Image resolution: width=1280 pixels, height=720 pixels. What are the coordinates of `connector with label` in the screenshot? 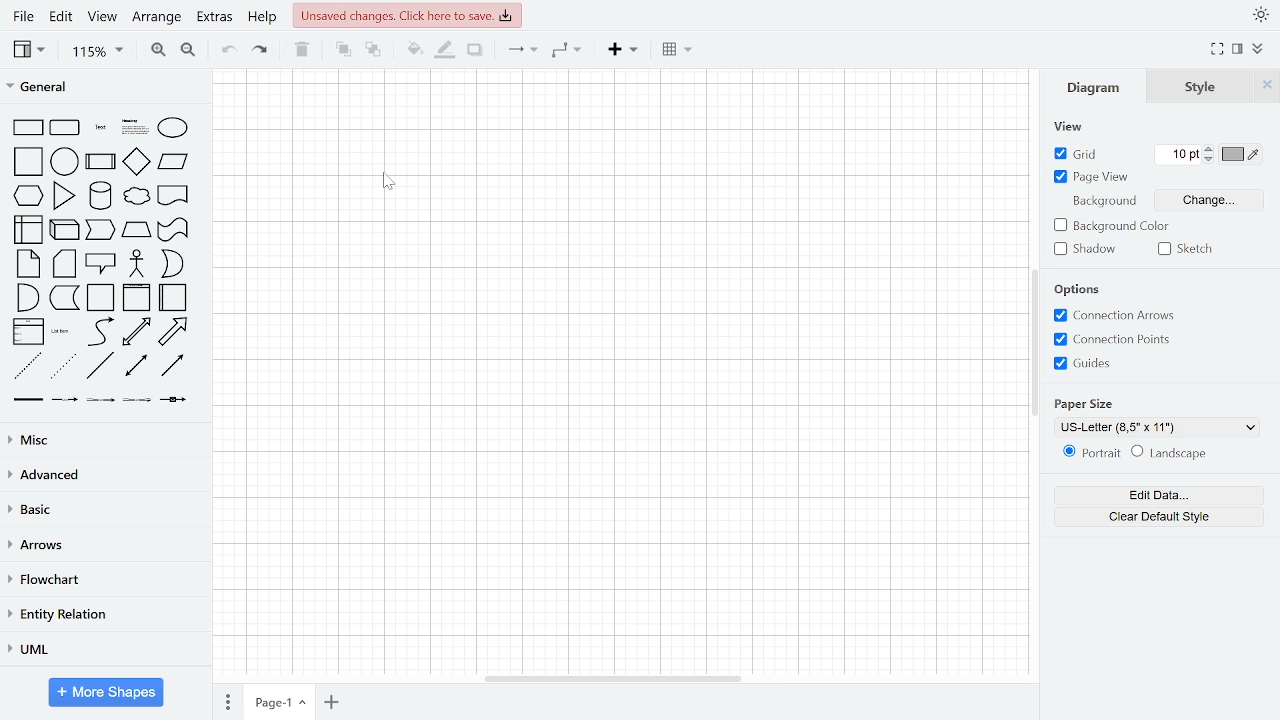 It's located at (65, 400).